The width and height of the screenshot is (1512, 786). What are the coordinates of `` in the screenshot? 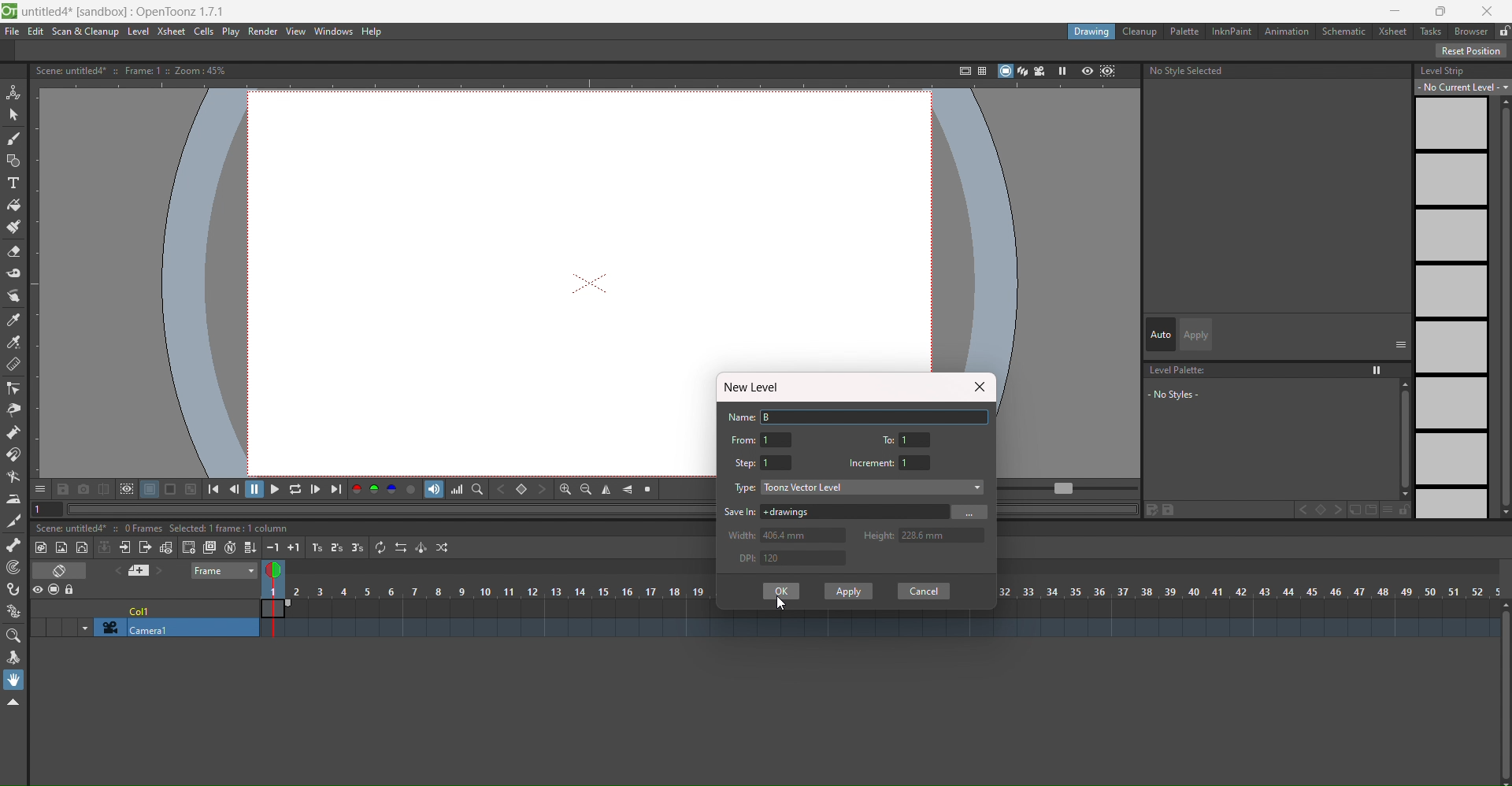 It's located at (61, 570).